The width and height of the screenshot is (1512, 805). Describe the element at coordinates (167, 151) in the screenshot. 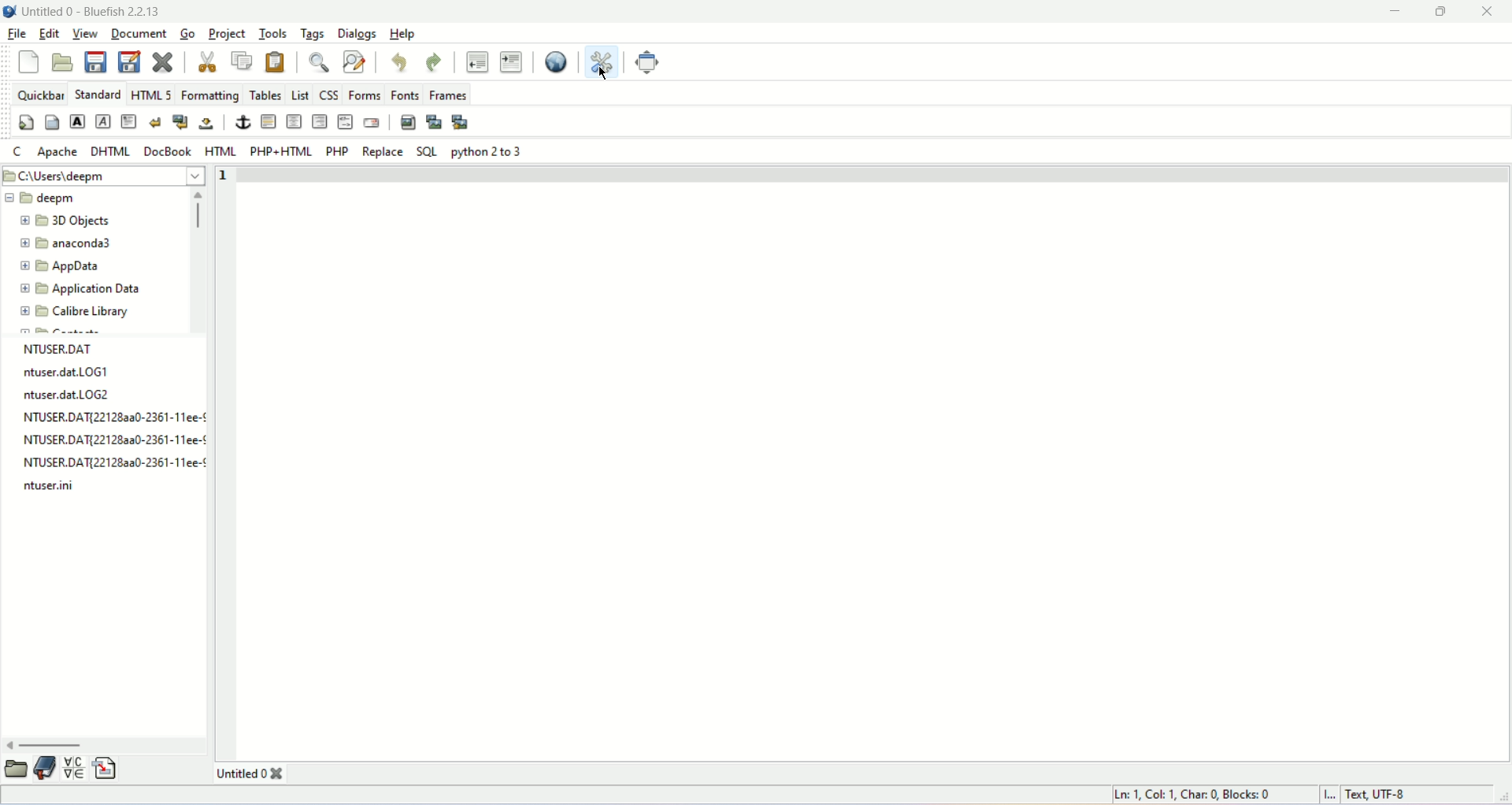

I see `Docbook` at that location.